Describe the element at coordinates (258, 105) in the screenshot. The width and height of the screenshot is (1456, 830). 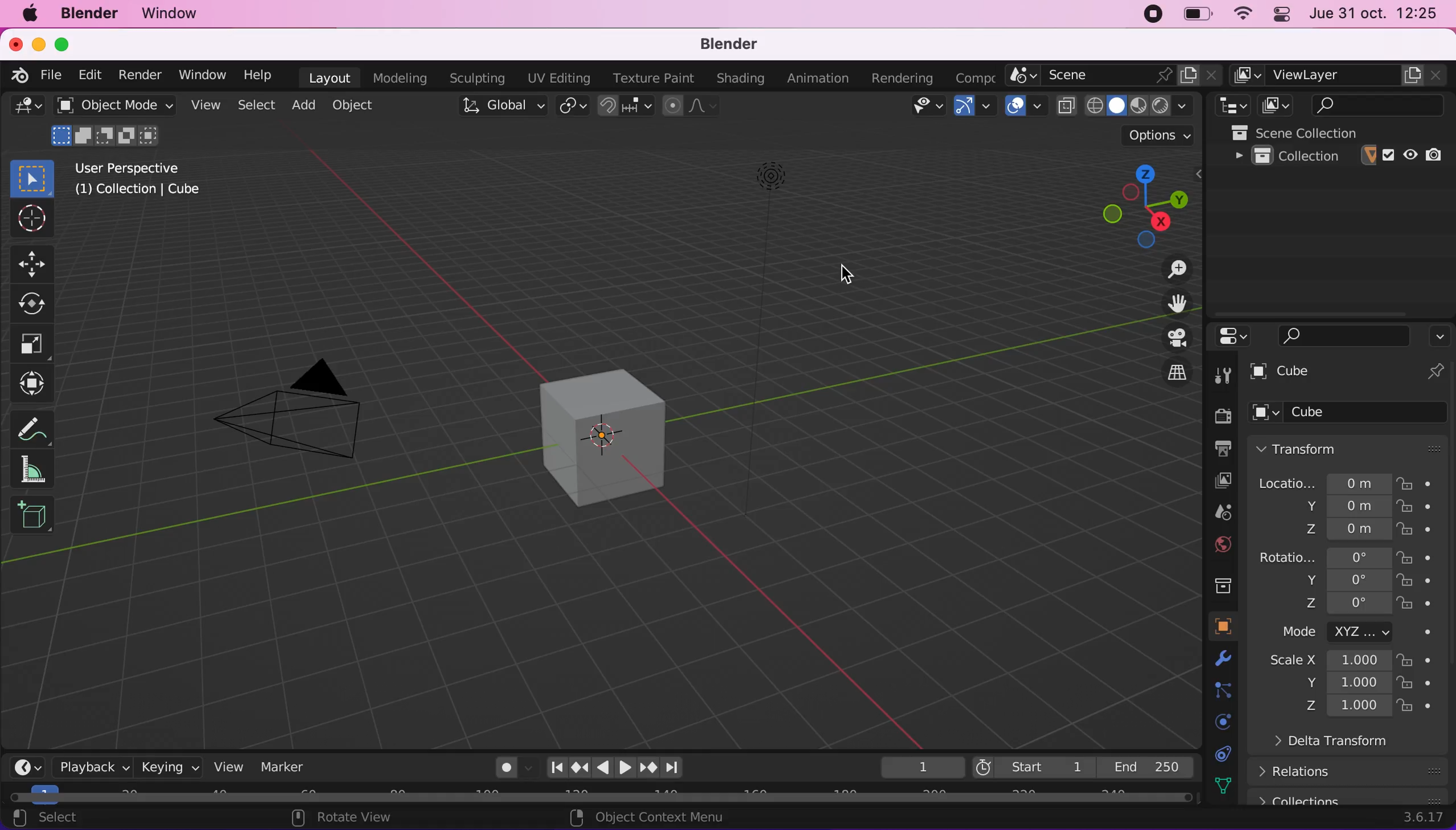
I see `select` at that location.